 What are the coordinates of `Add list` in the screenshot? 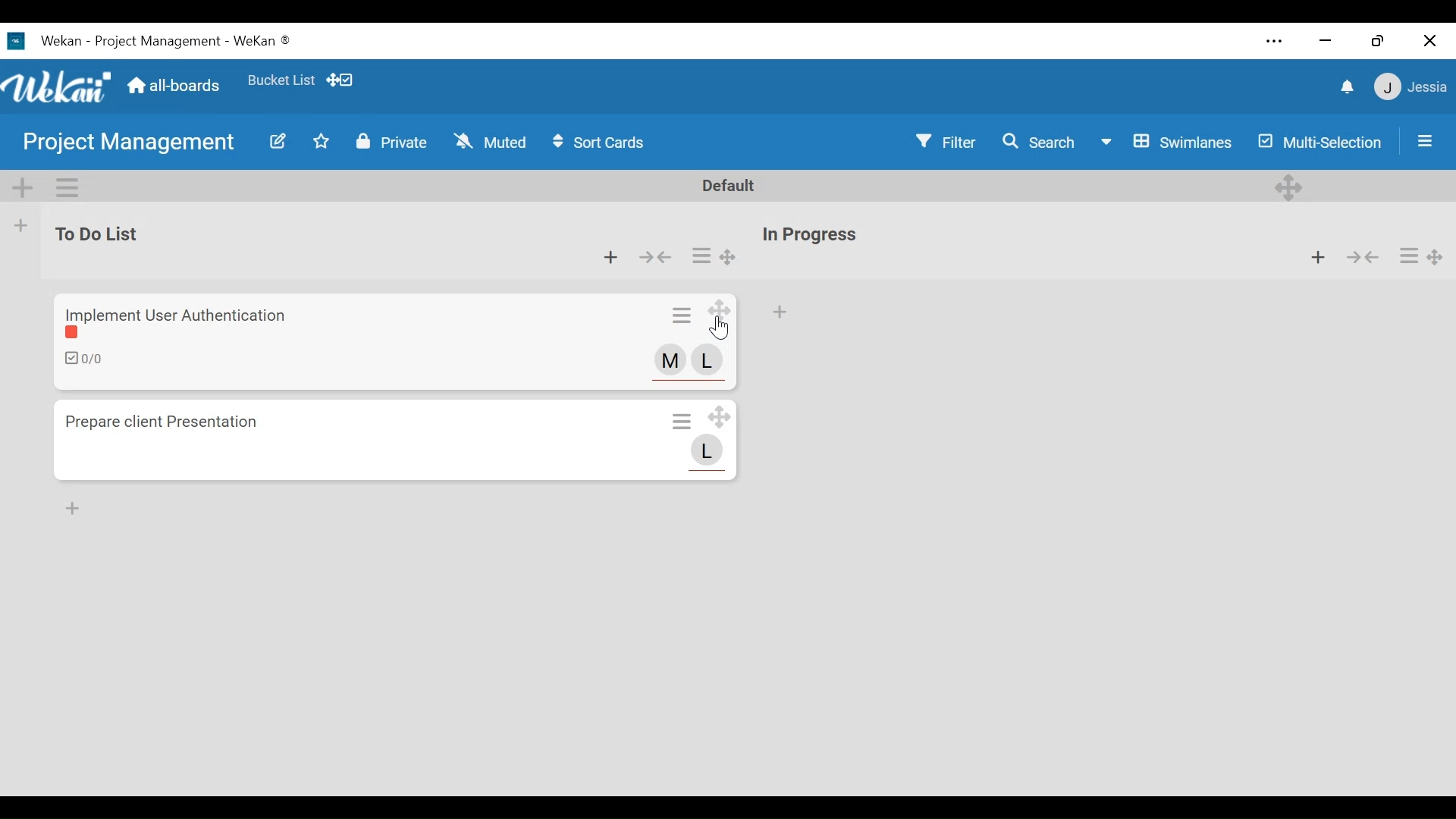 It's located at (20, 225).